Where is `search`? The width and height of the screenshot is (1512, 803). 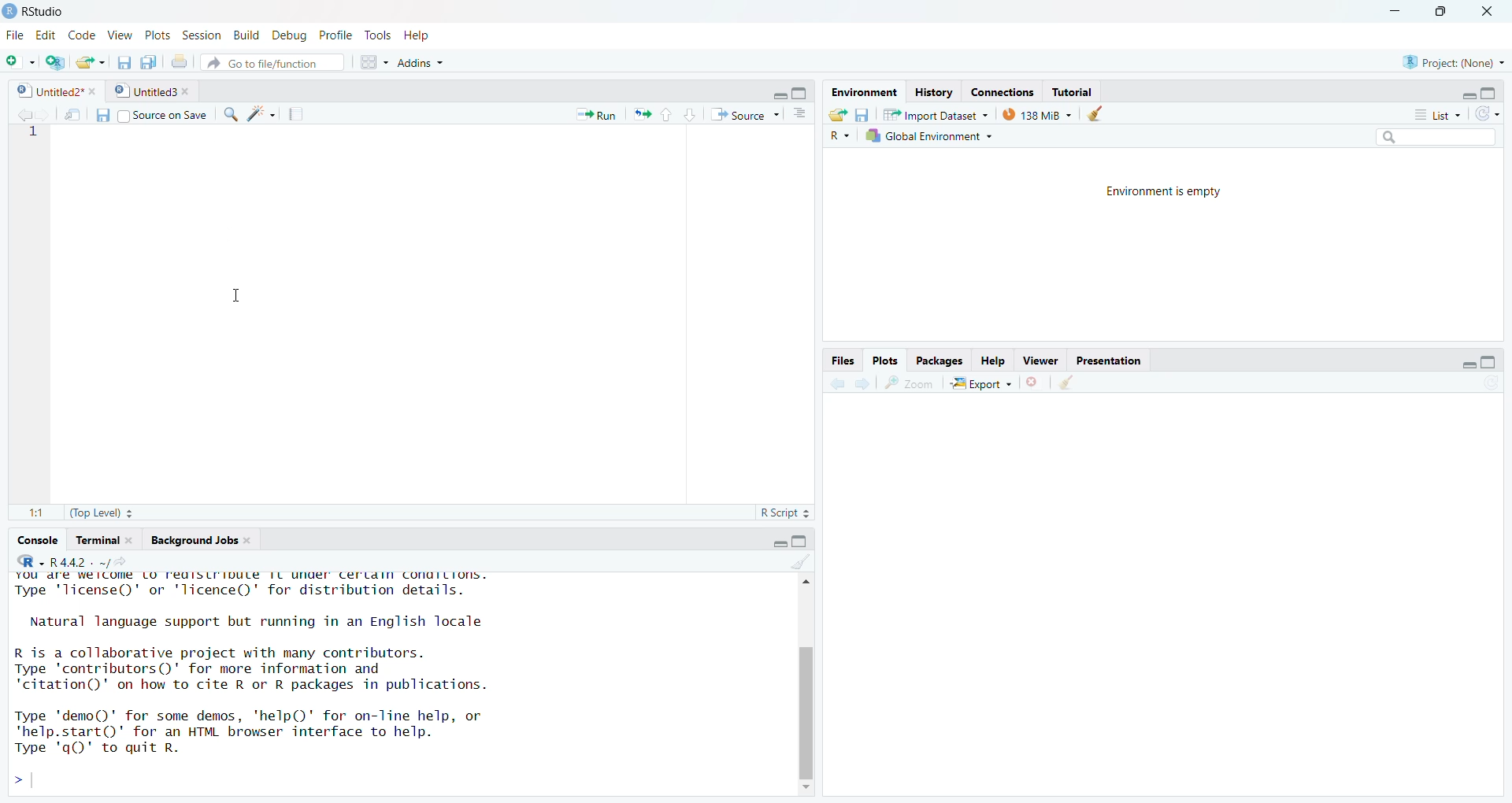
search is located at coordinates (1433, 138).